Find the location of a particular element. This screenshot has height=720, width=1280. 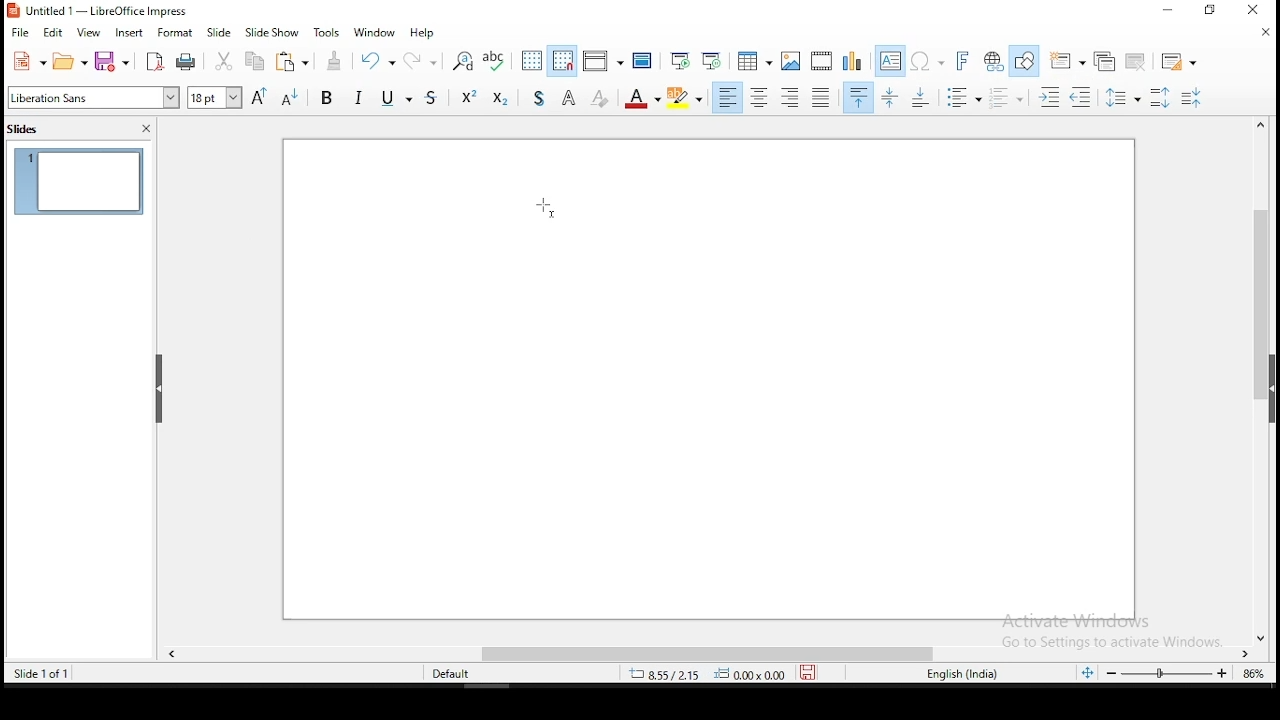

tables is located at coordinates (756, 61).